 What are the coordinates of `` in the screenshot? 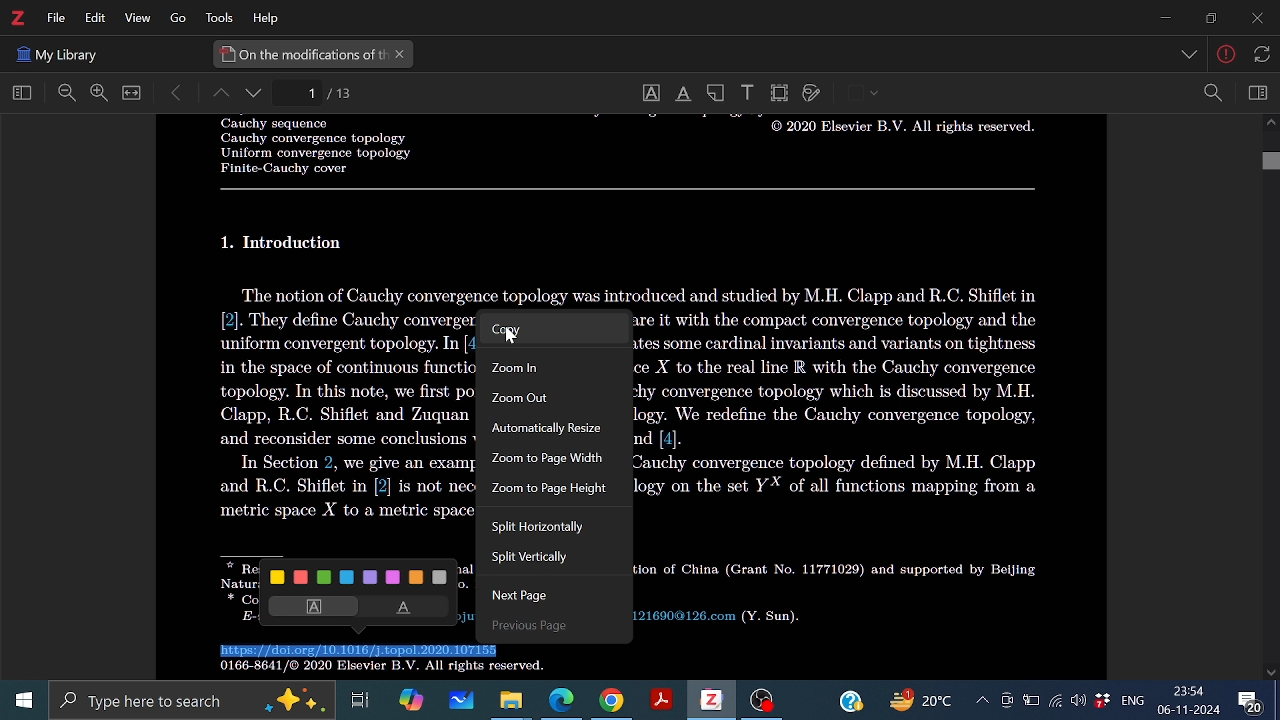 It's located at (629, 189).